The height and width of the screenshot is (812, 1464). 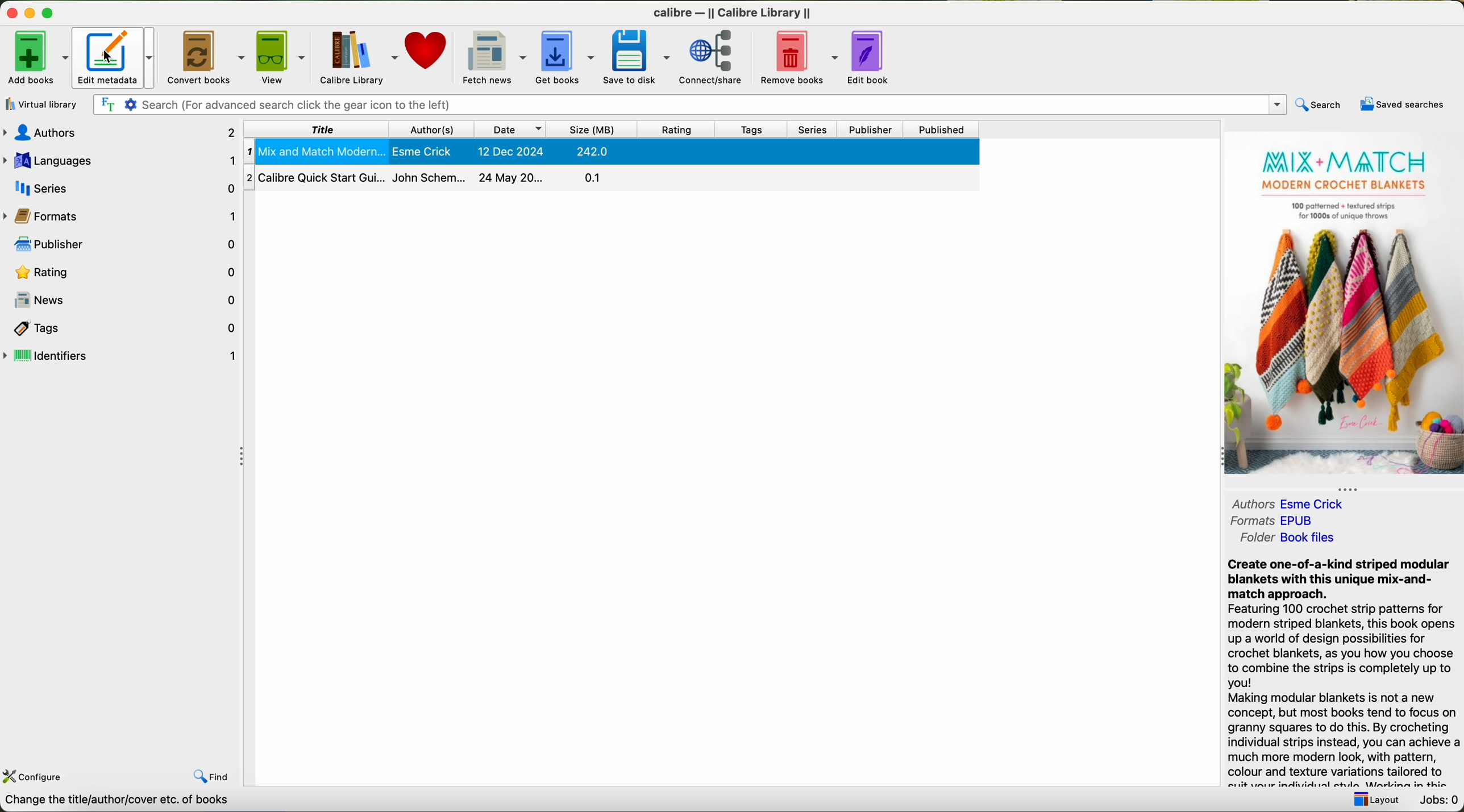 What do you see at coordinates (749, 130) in the screenshot?
I see `tags` at bounding box center [749, 130].